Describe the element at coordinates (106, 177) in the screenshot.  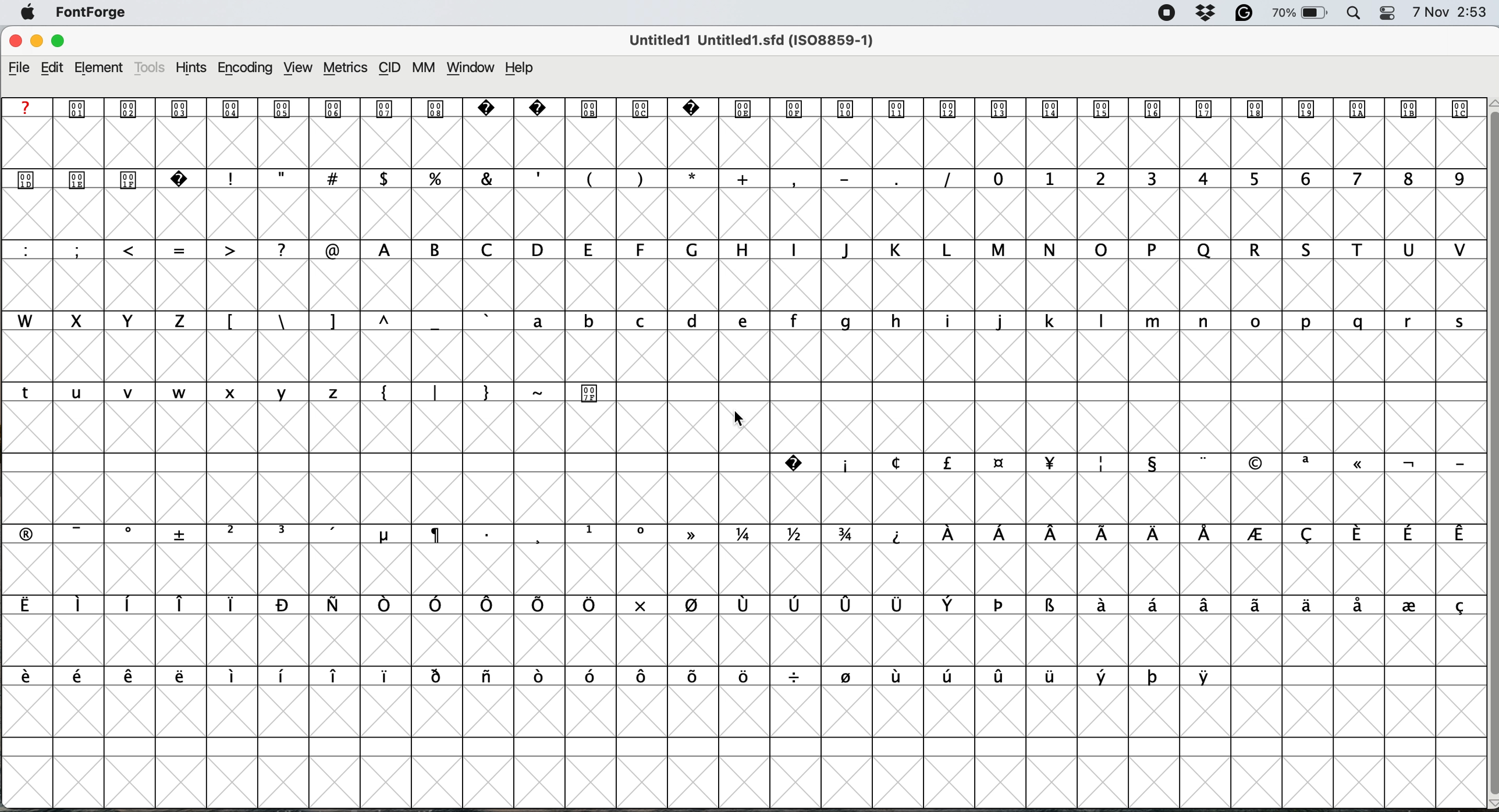
I see `special icons` at that location.